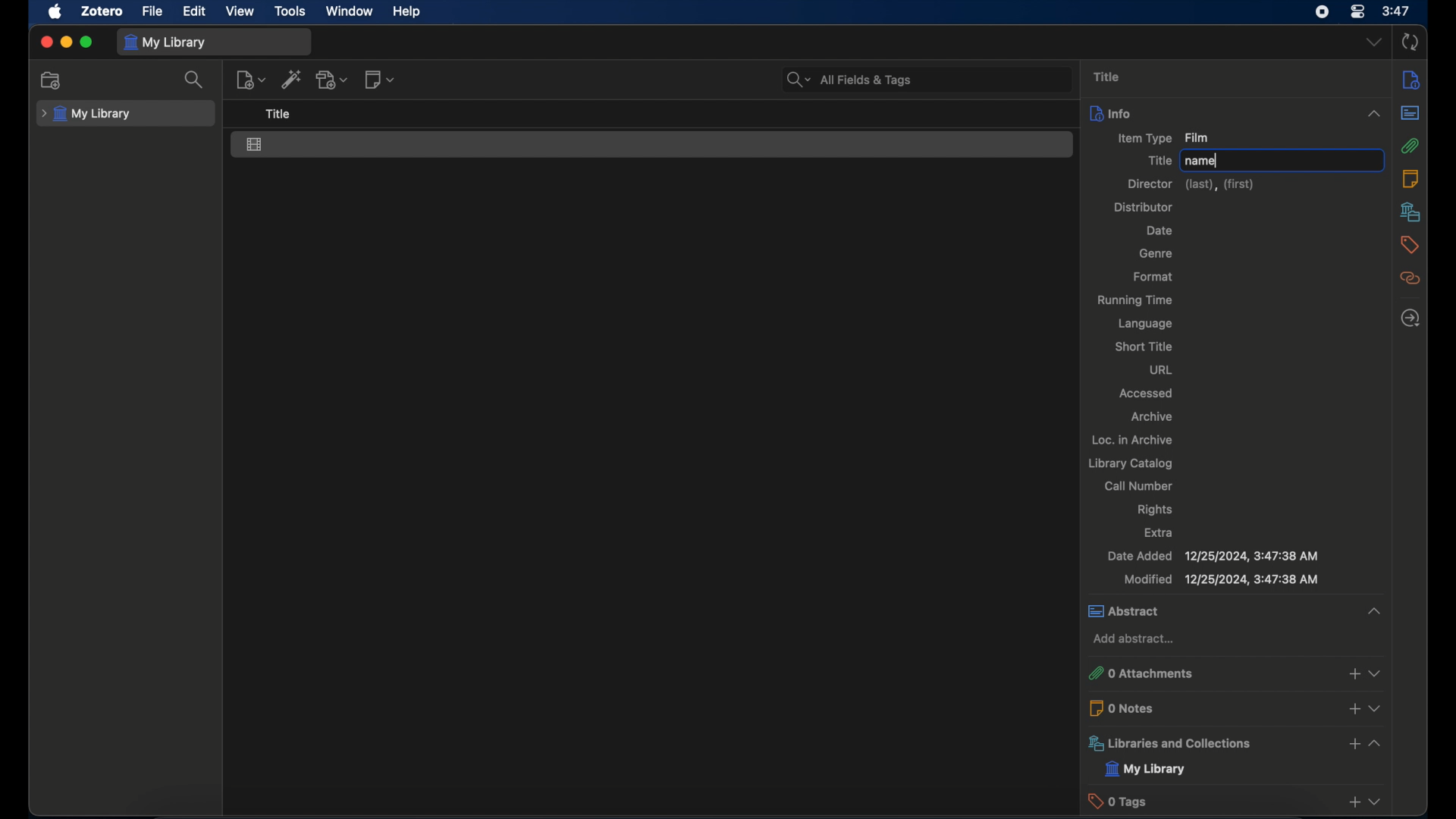 The image size is (1456, 819). What do you see at coordinates (197, 80) in the screenshot?
I see `search` at bounding box center [197, 80].